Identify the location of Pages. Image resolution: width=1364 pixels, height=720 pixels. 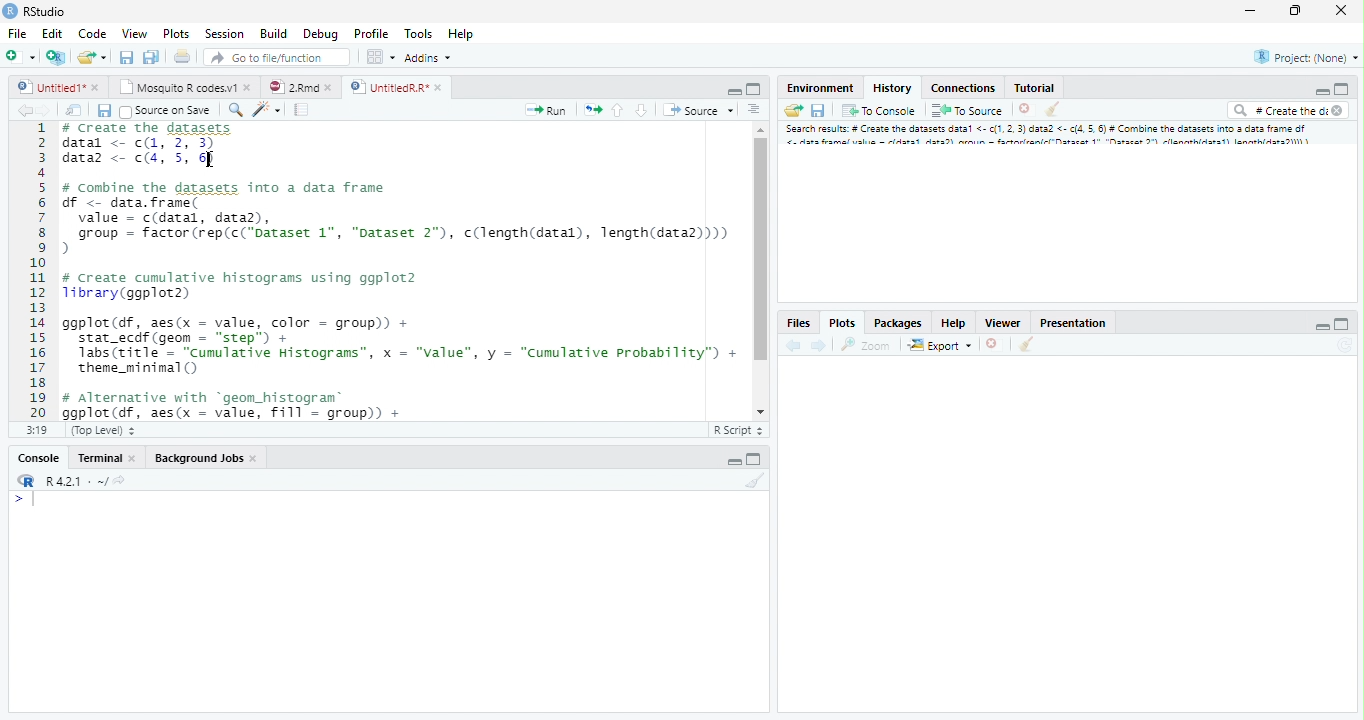
(593, 112).